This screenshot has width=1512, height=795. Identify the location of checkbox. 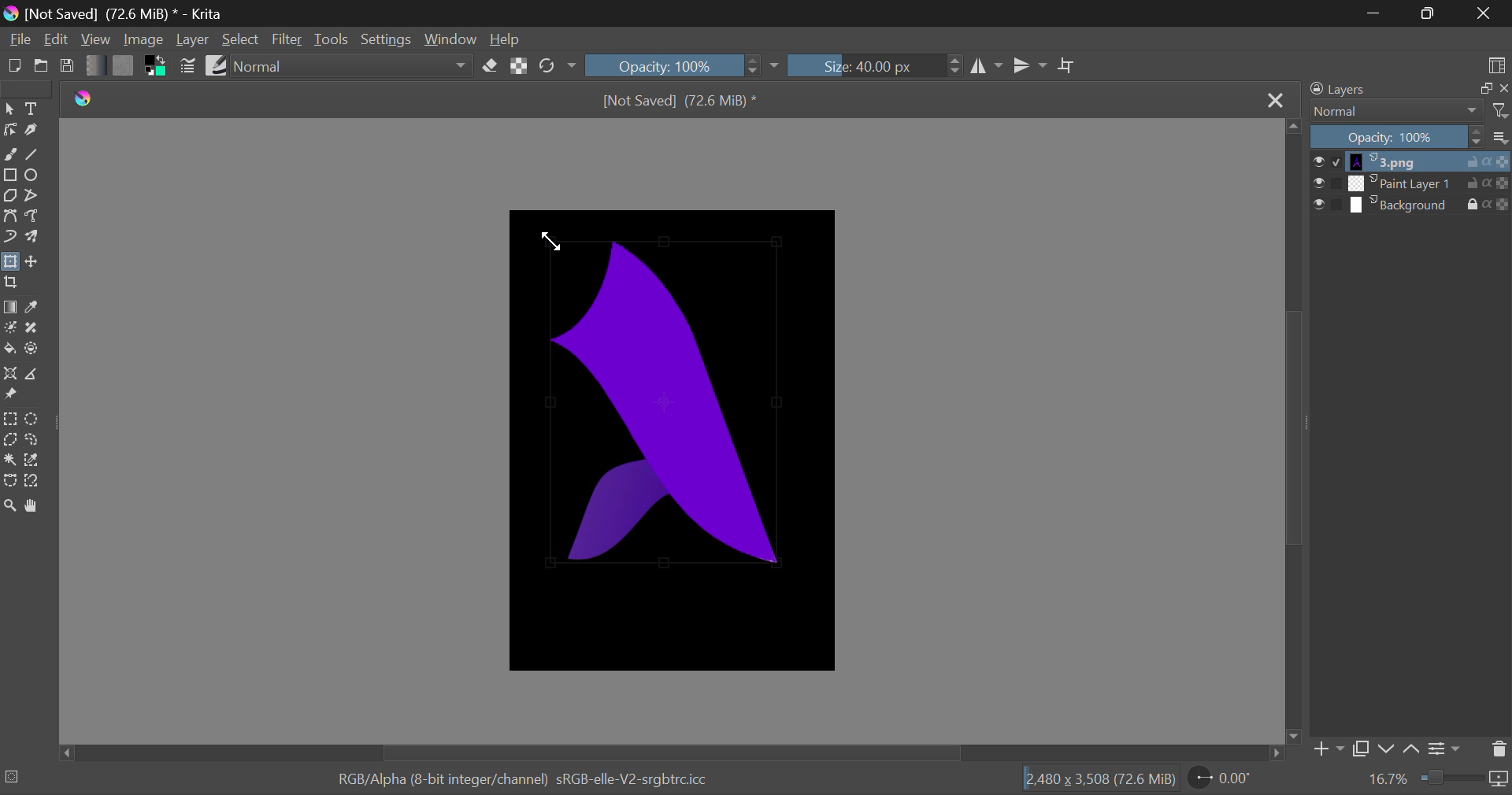
(1325, 205).